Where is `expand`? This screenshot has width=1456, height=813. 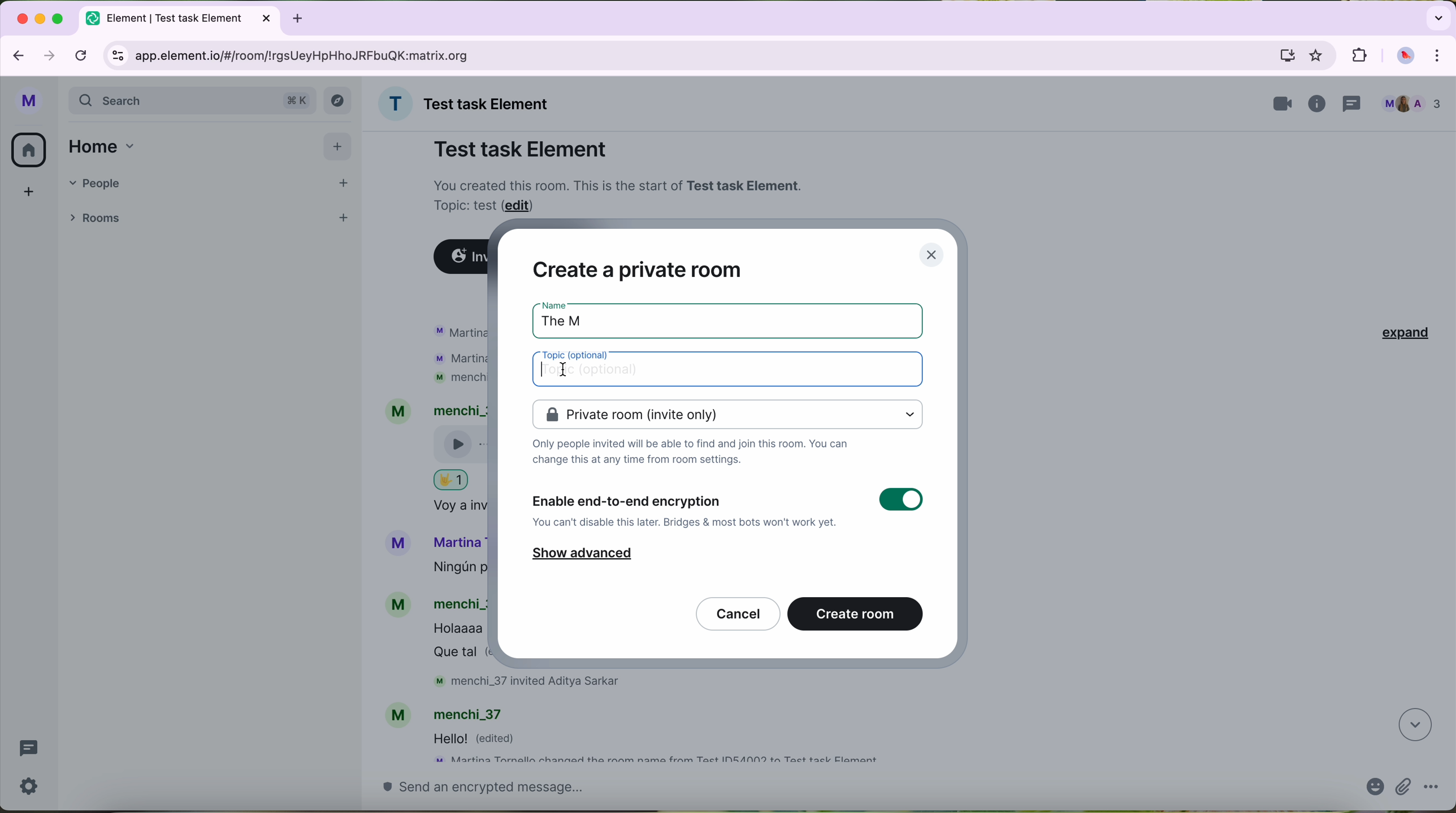 expand is located at coordinates (1399, 332).